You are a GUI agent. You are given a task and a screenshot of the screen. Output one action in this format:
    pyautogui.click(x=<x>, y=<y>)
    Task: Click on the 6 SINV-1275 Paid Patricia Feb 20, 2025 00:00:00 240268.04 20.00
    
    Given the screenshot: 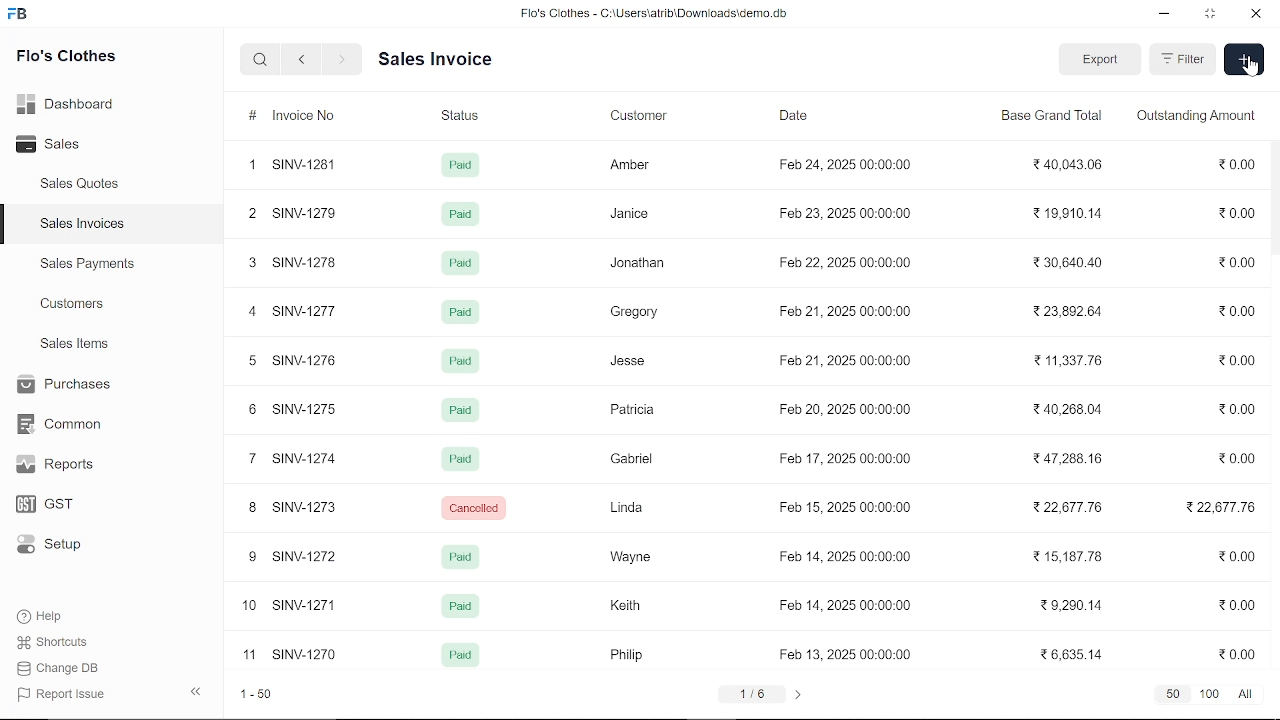 What is the action you would take?
    pyautogui.click(x=750, y=411)
    